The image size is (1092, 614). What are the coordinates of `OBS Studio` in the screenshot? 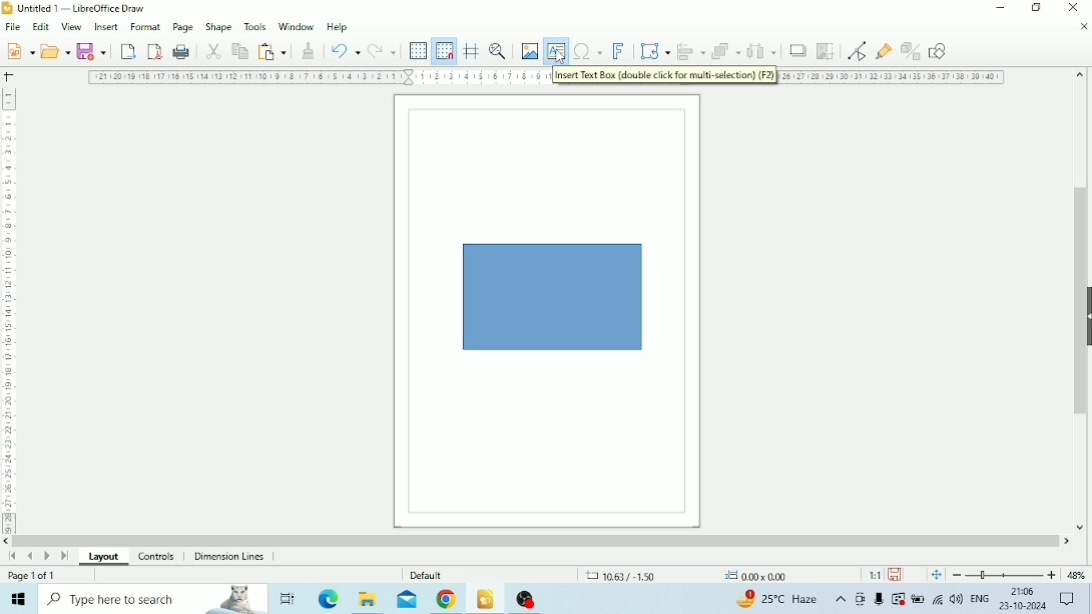 It's located at (530, 600).